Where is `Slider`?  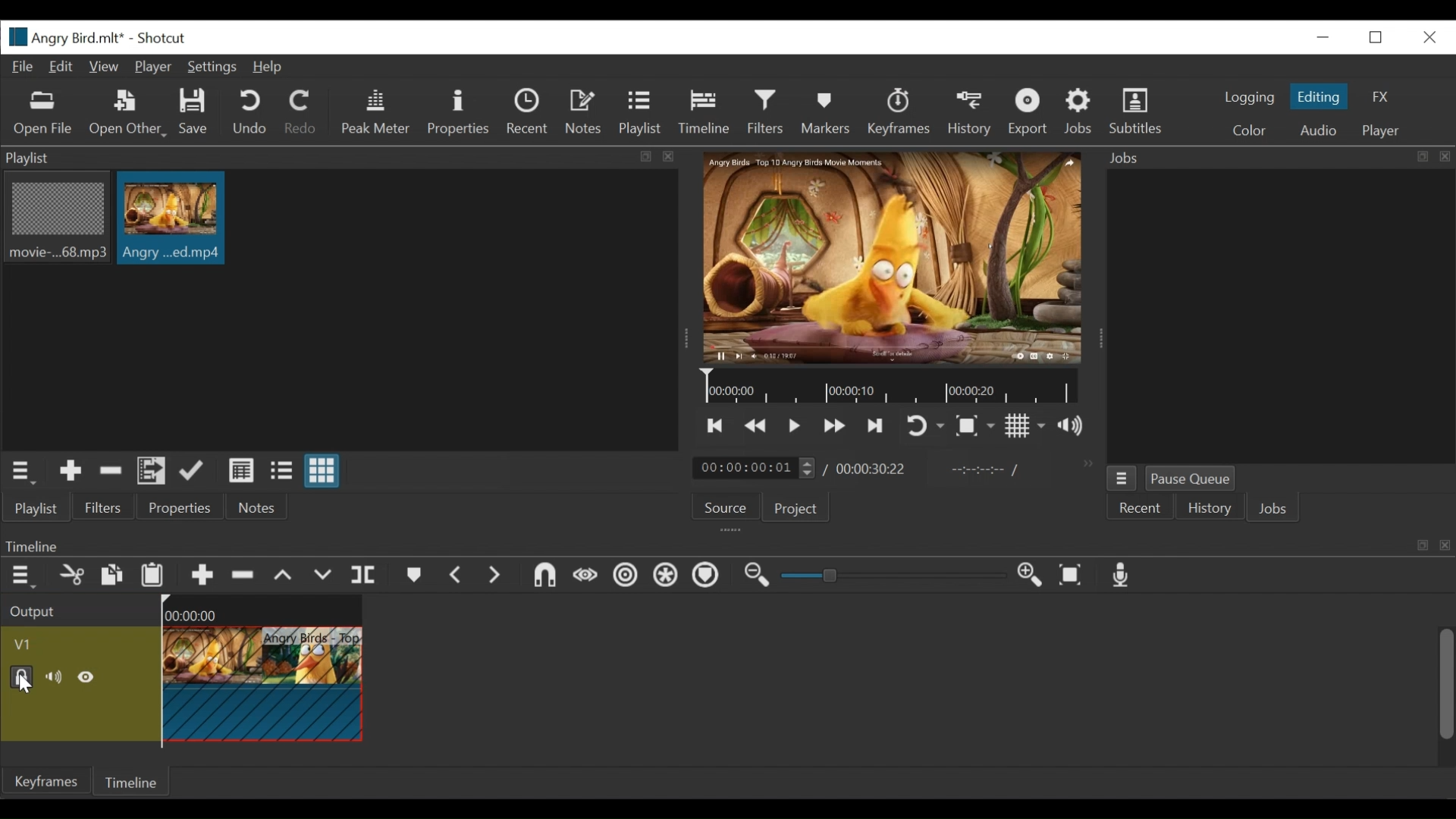
Slider is located at coordinates (897, 576).